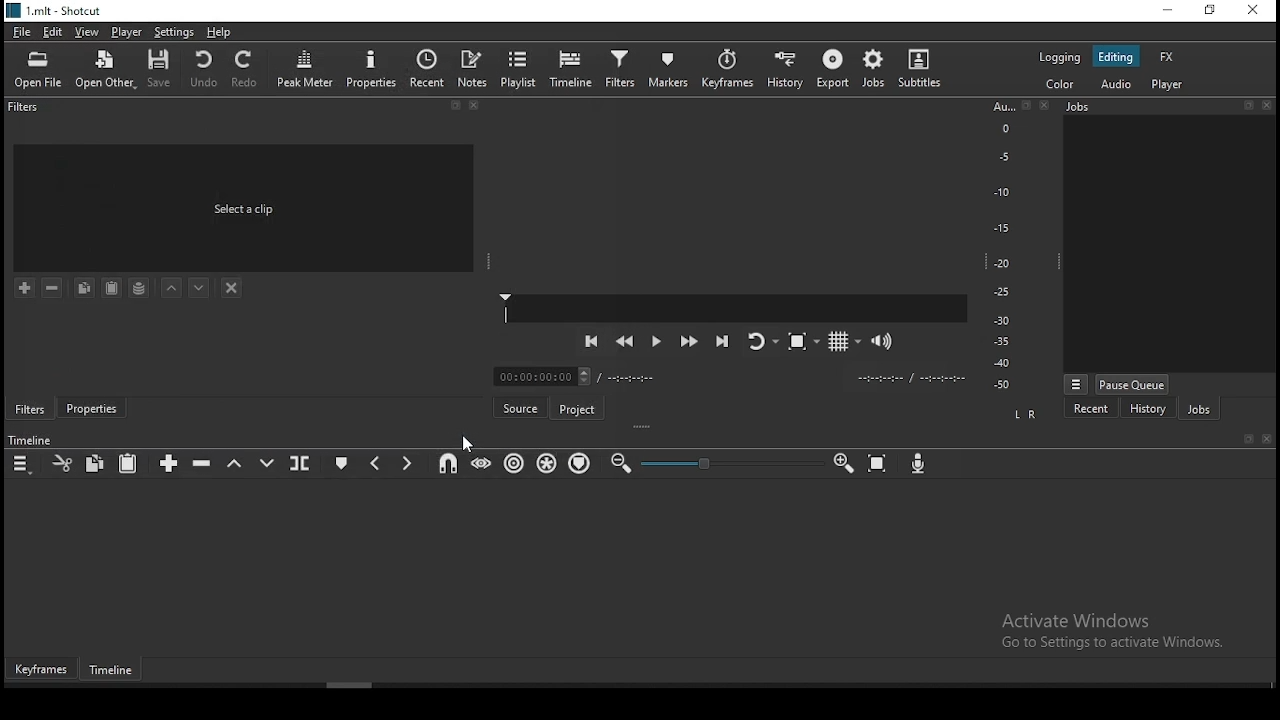  I want to click on bookmark, so click(455, 107).